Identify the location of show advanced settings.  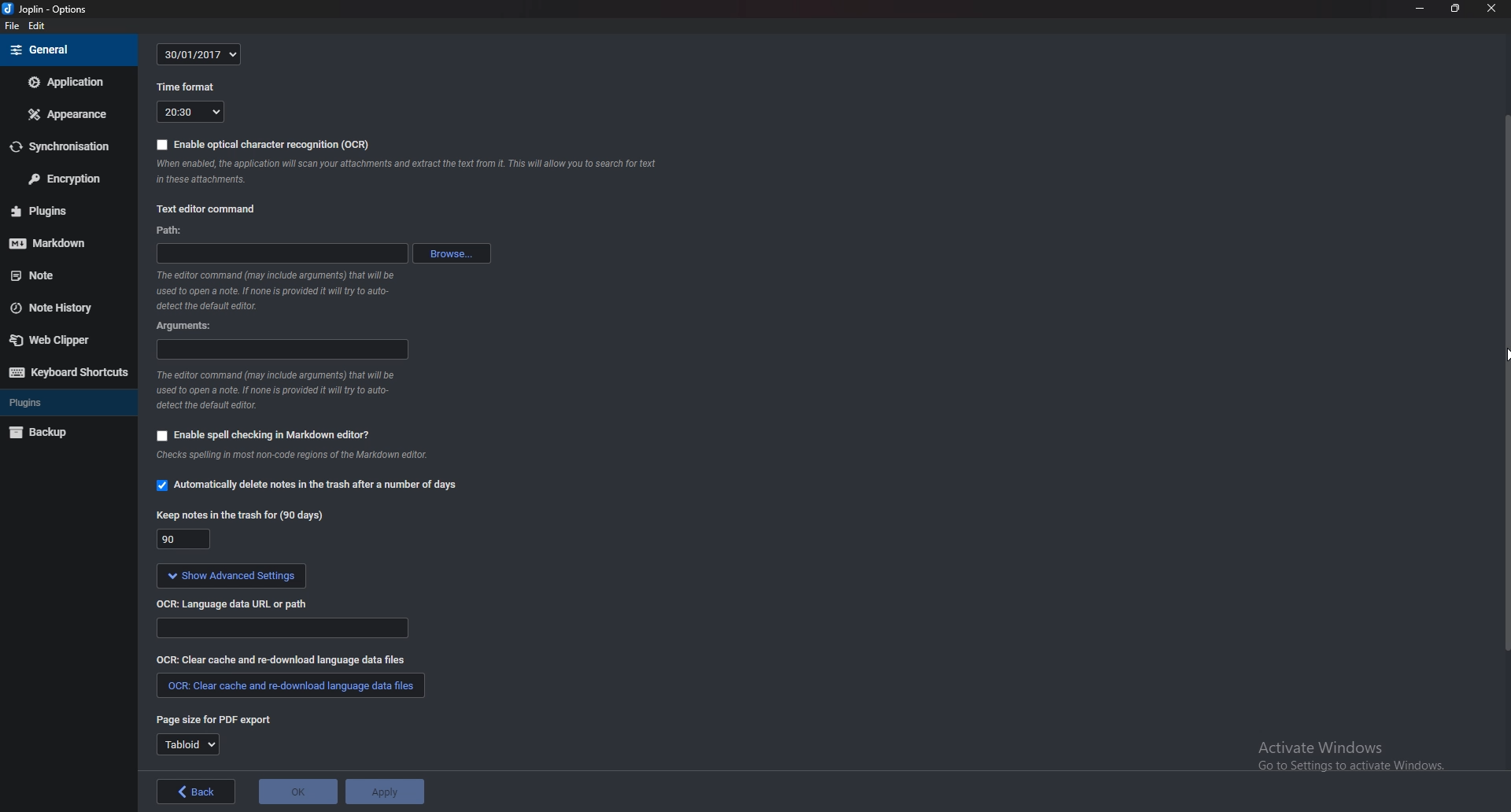
(269, 576).